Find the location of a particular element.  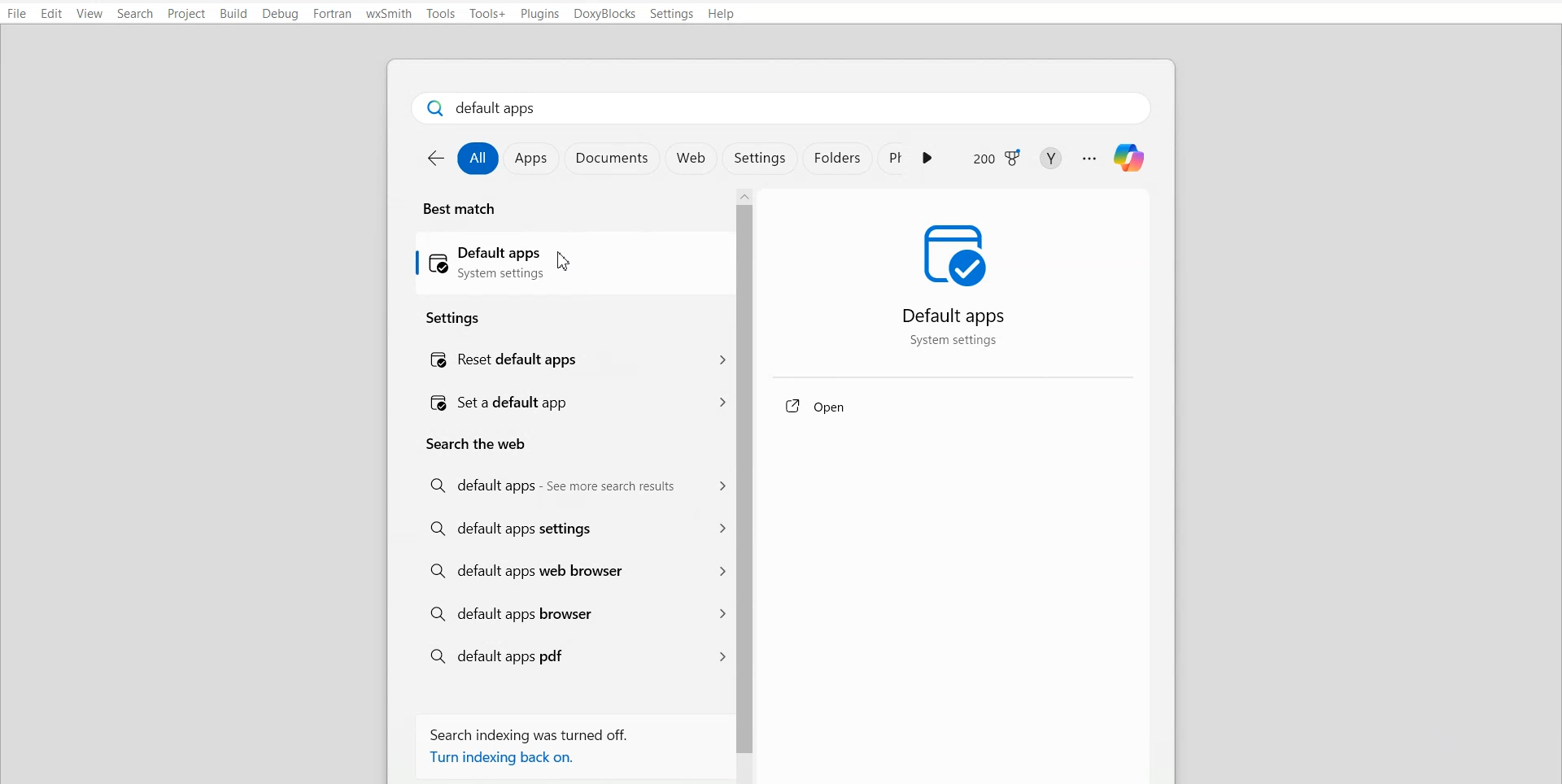

Menu is located at coordinates (717, 359).